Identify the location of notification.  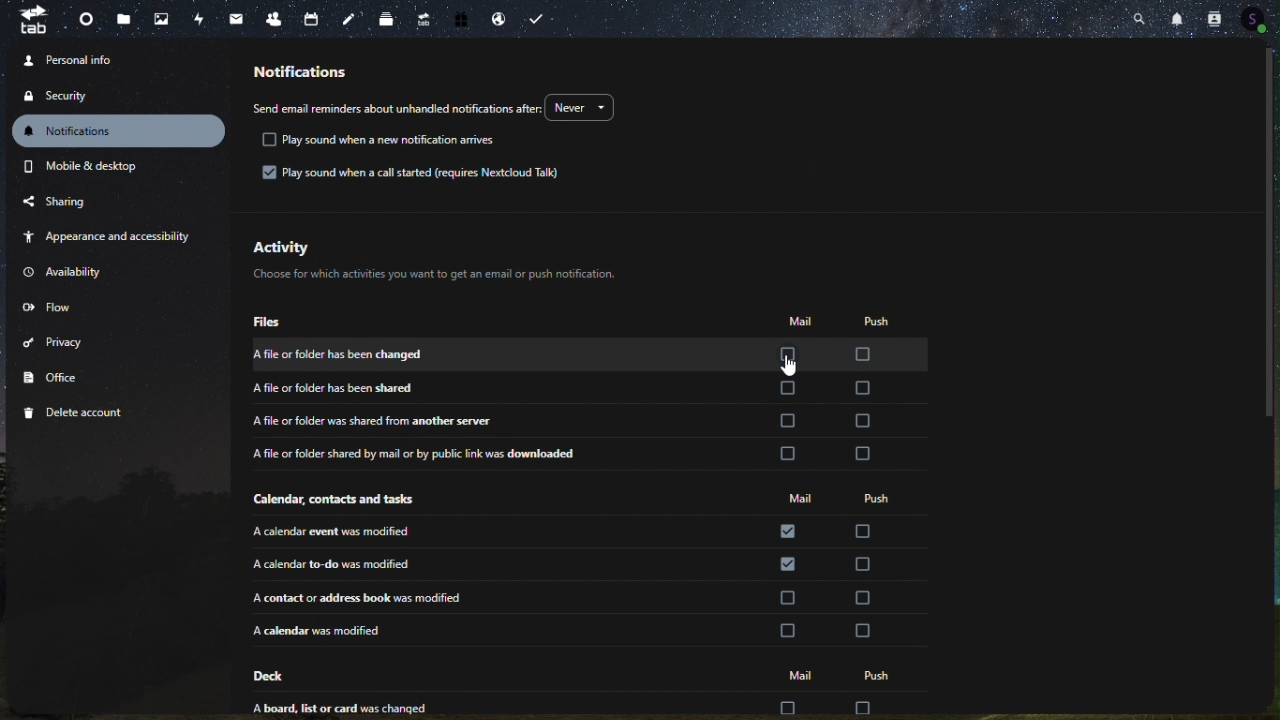
(118, 132).